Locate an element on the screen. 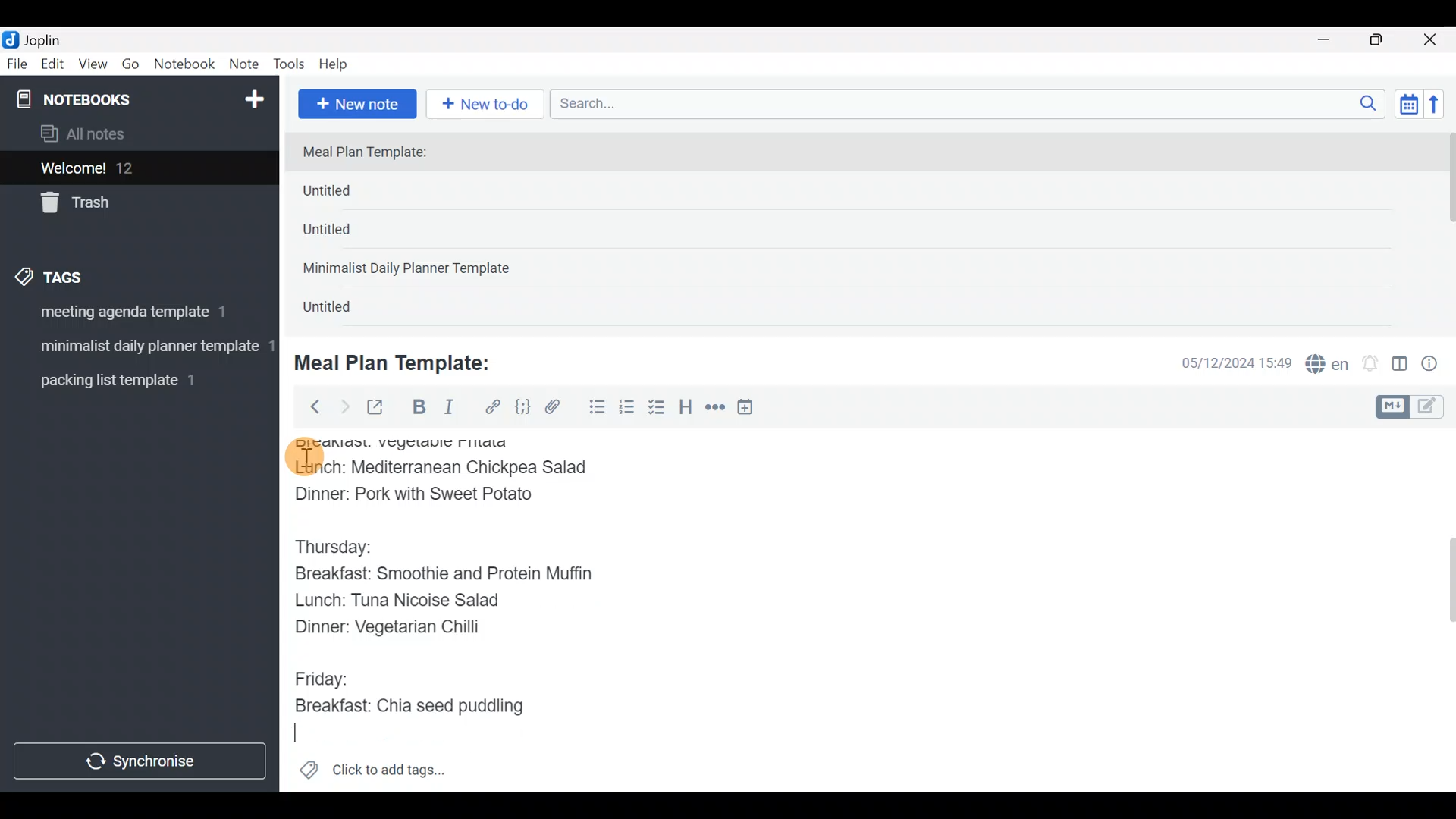  Maximize is located at coordinates (1385, 40).